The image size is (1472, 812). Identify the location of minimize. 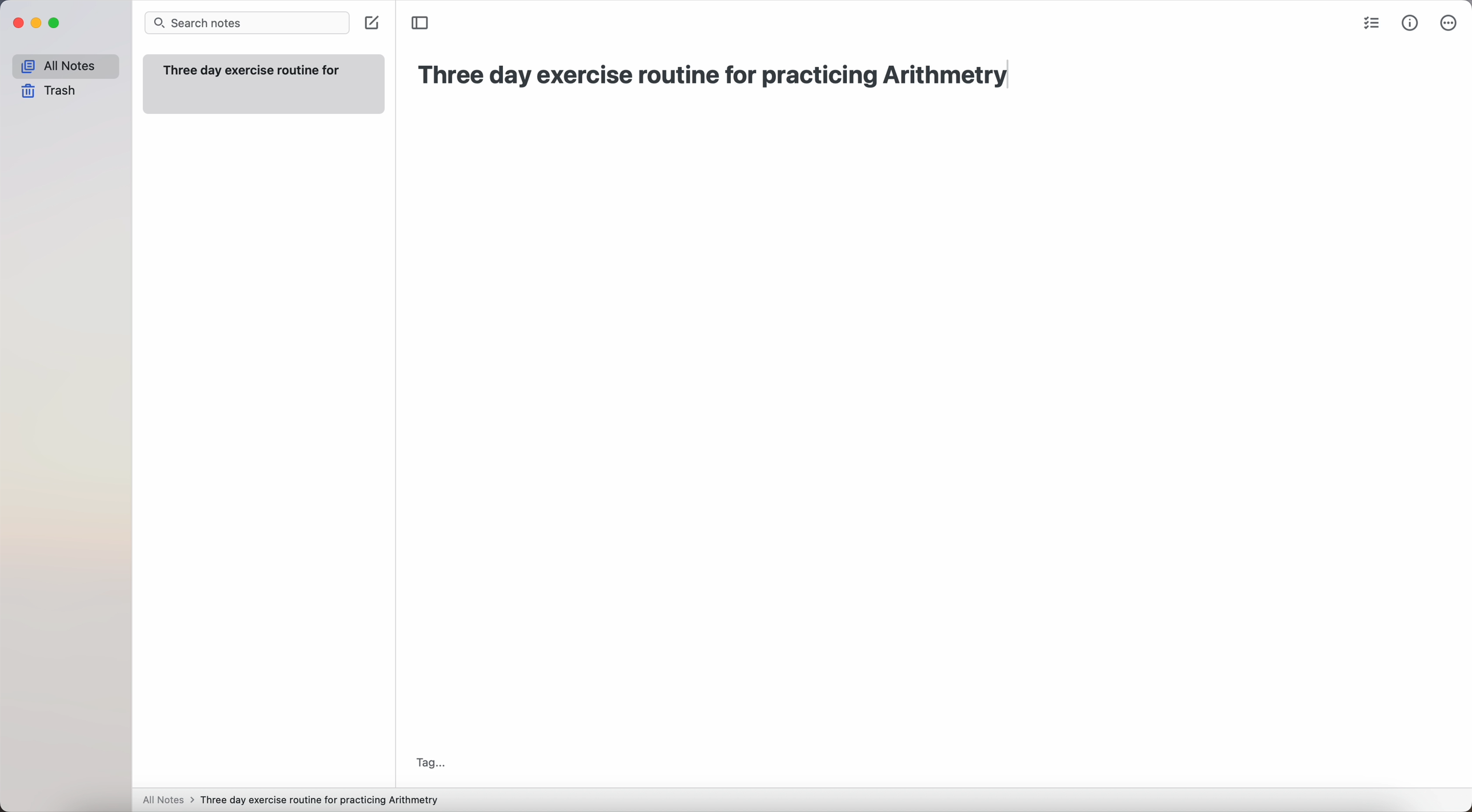
(36, 24).